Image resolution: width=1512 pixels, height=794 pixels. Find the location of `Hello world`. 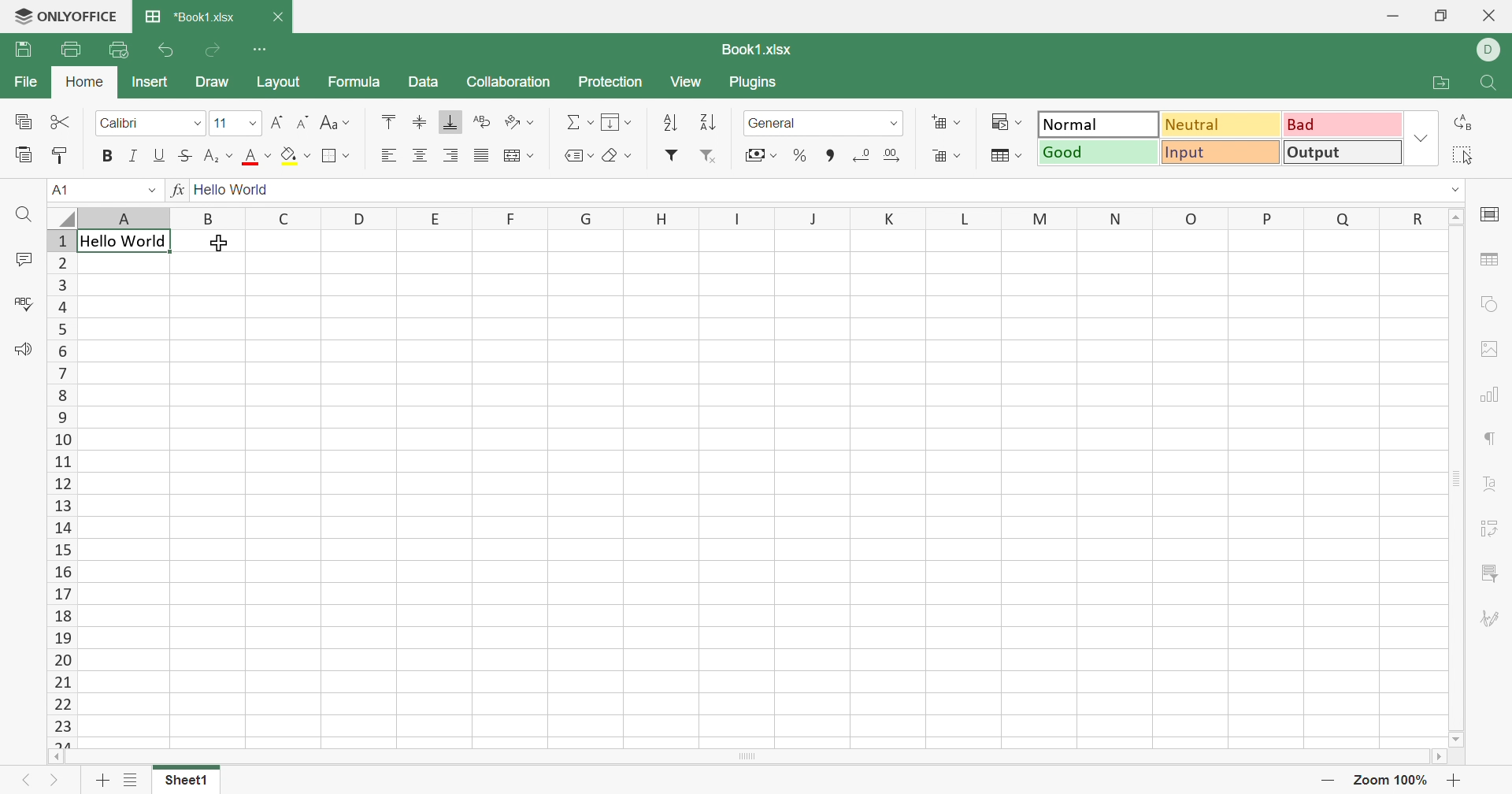

Hello world is located at coordinates (122, 242).